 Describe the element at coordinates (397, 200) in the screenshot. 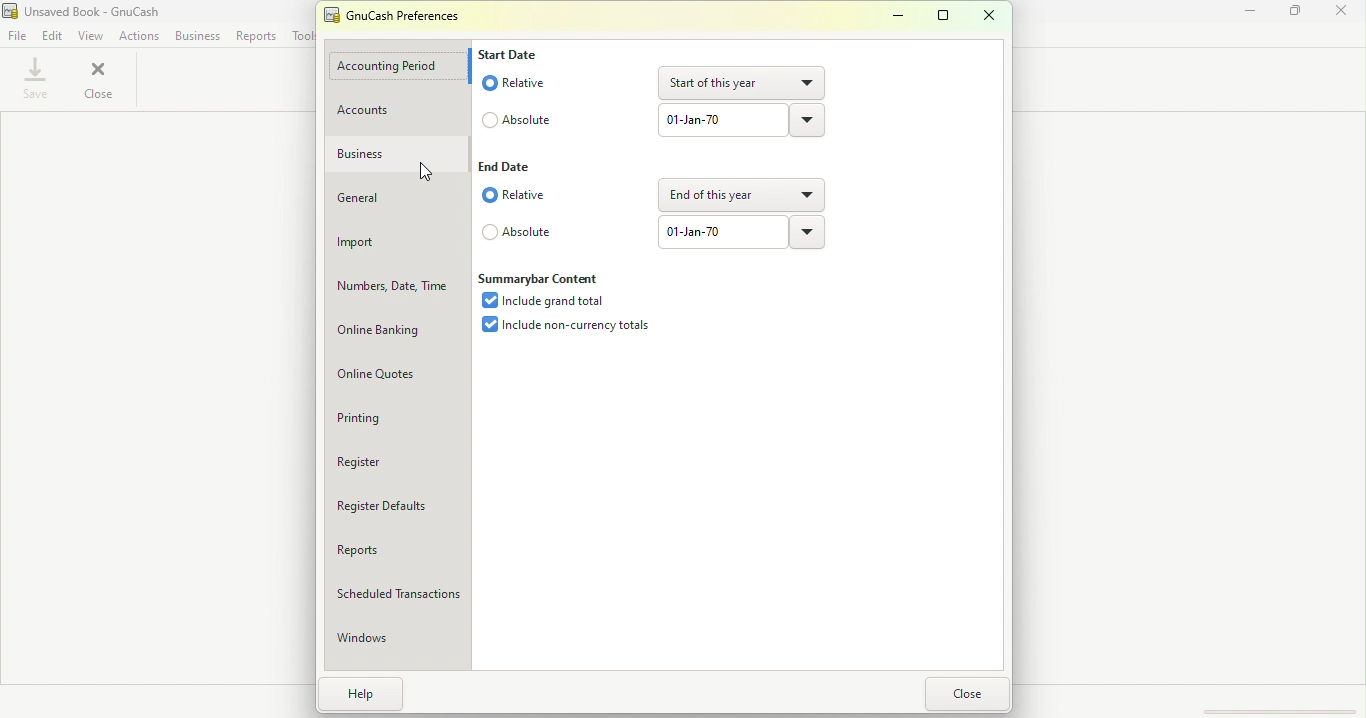

I see `General` at that location.